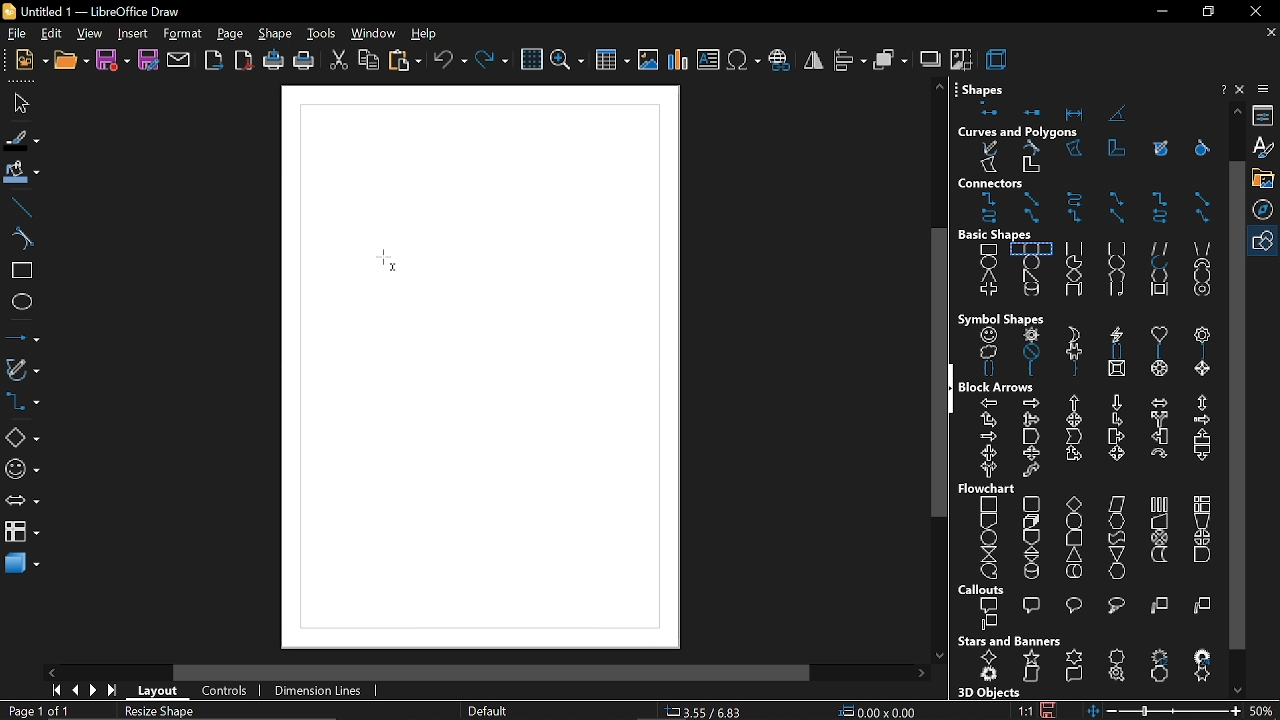 The height and width of the screenshot is (720, 1280). I want to click on export as pdf, so click(244, 60).